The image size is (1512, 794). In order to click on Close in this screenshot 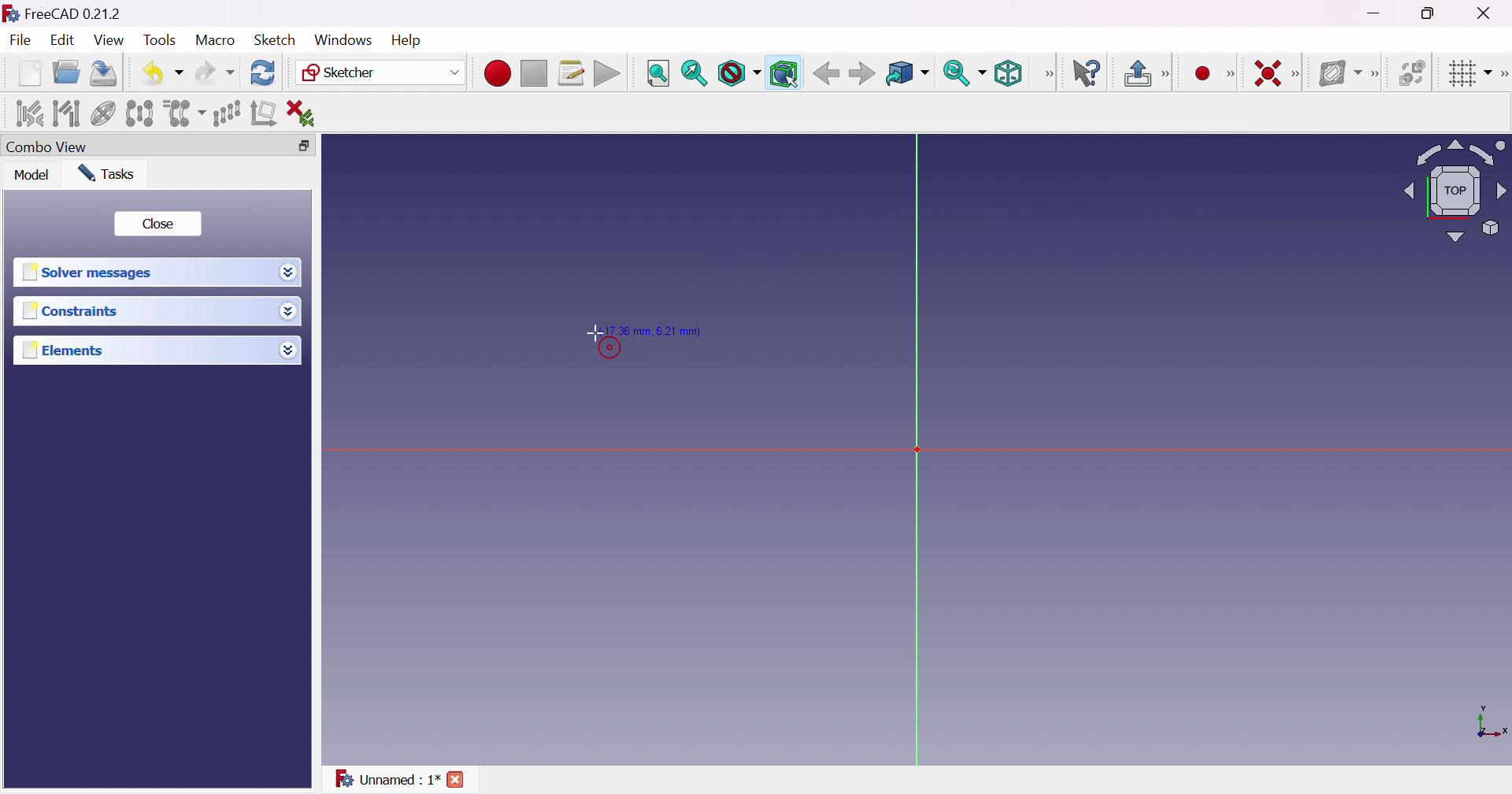, I will do `click(457, 778)`.